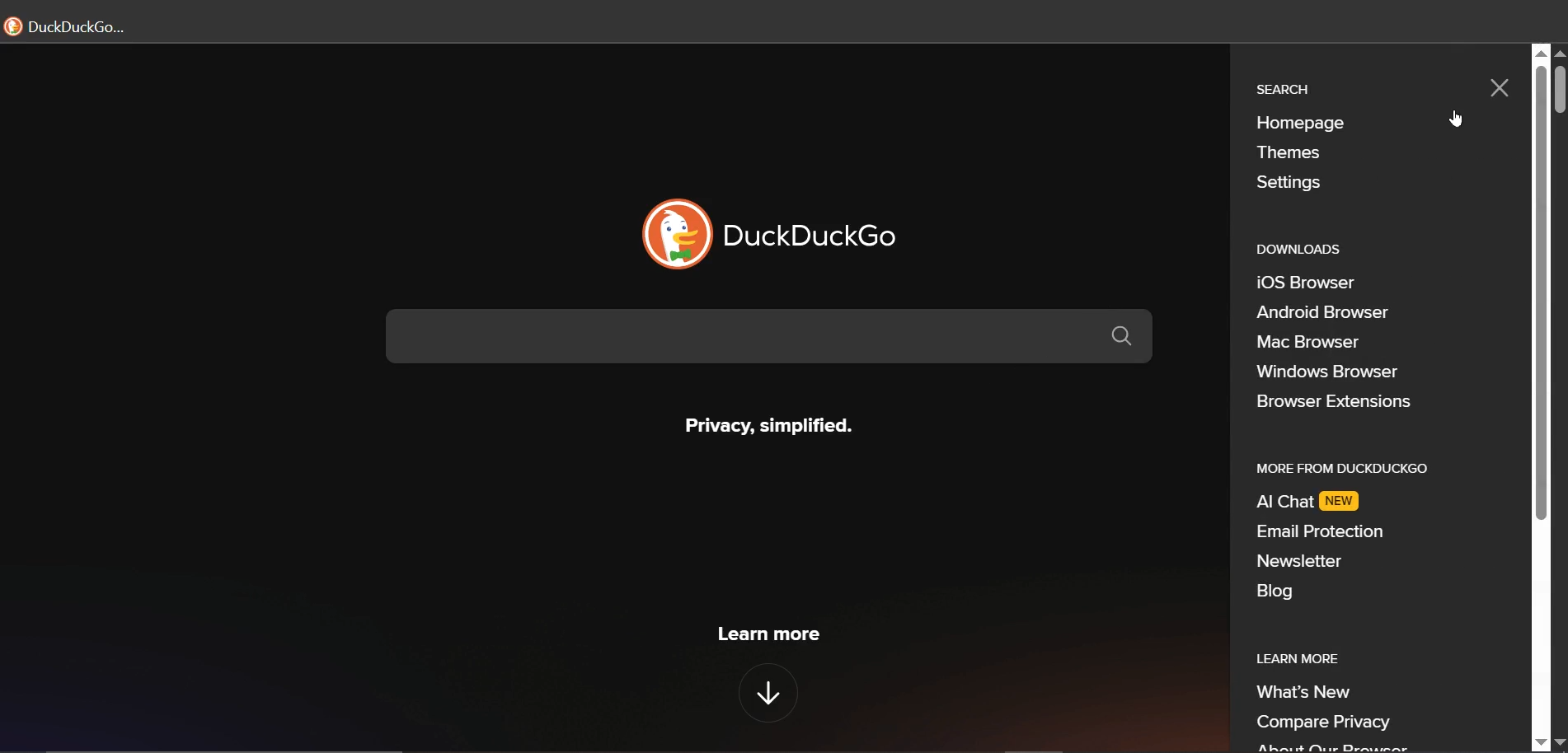  Describe the element at coordinates (1322, 311) in the screenshot. I see `Android Browser` at that location.